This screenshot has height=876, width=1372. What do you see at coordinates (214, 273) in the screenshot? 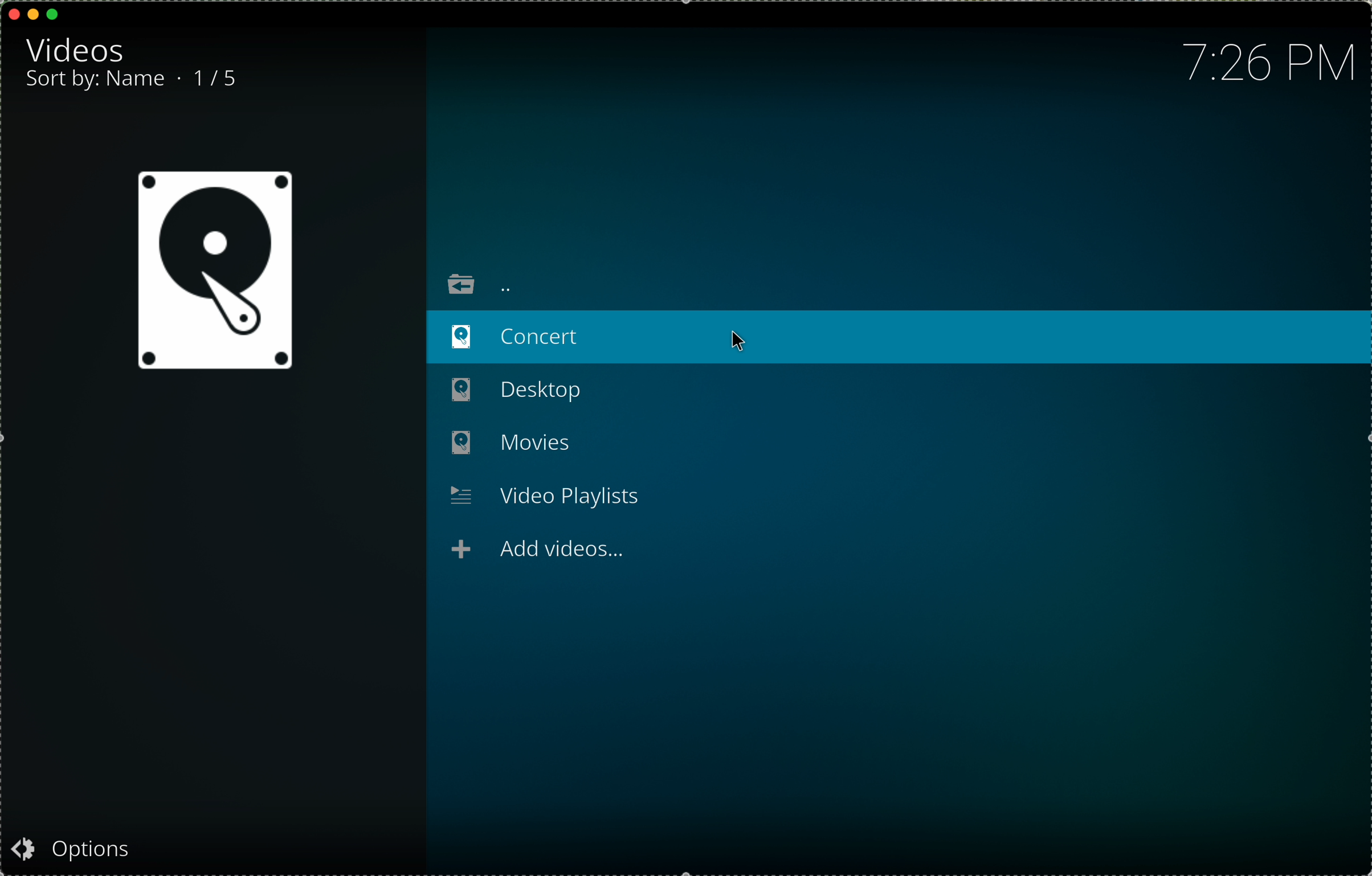
I see `videos icon` at bounding box center [214, 273].